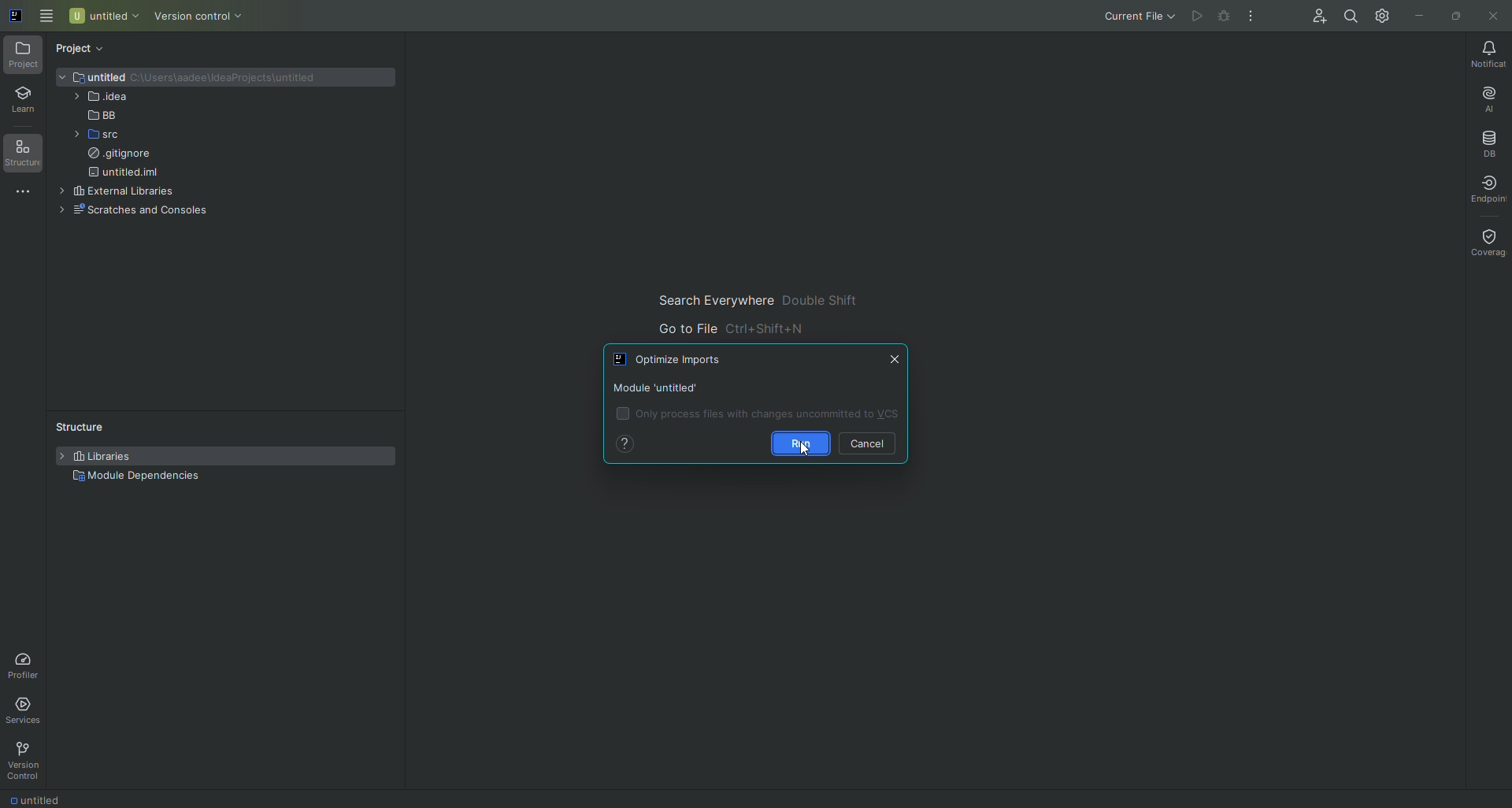 The width and height of the screenshot is (1512, 808). I want to click on External Libraries, so click(115, 191).